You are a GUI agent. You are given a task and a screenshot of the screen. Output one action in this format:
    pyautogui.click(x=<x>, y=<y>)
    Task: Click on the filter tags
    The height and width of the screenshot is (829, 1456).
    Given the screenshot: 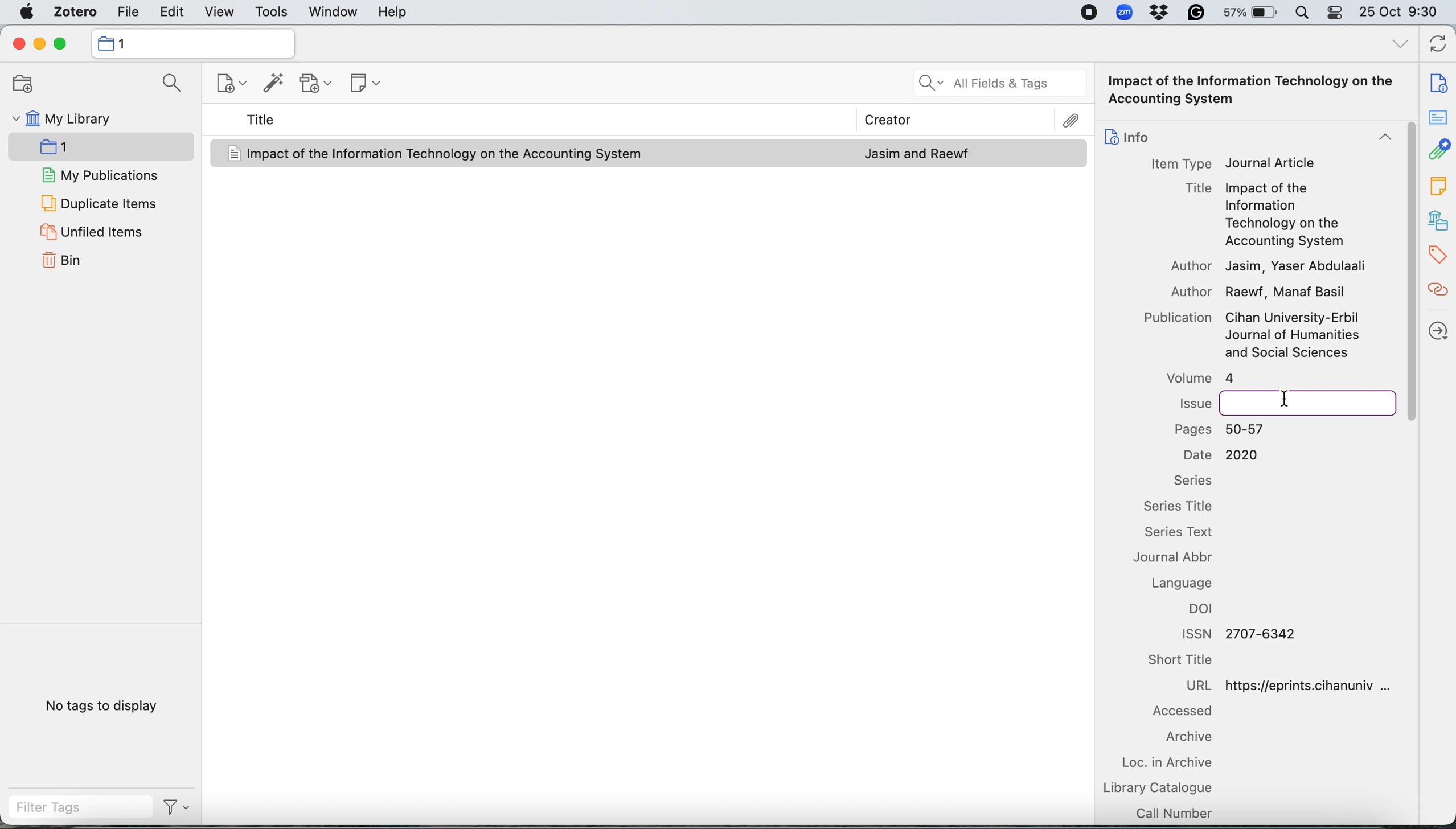 What is the action you would take?
    pyautogui.click(x=72, y=809)
    